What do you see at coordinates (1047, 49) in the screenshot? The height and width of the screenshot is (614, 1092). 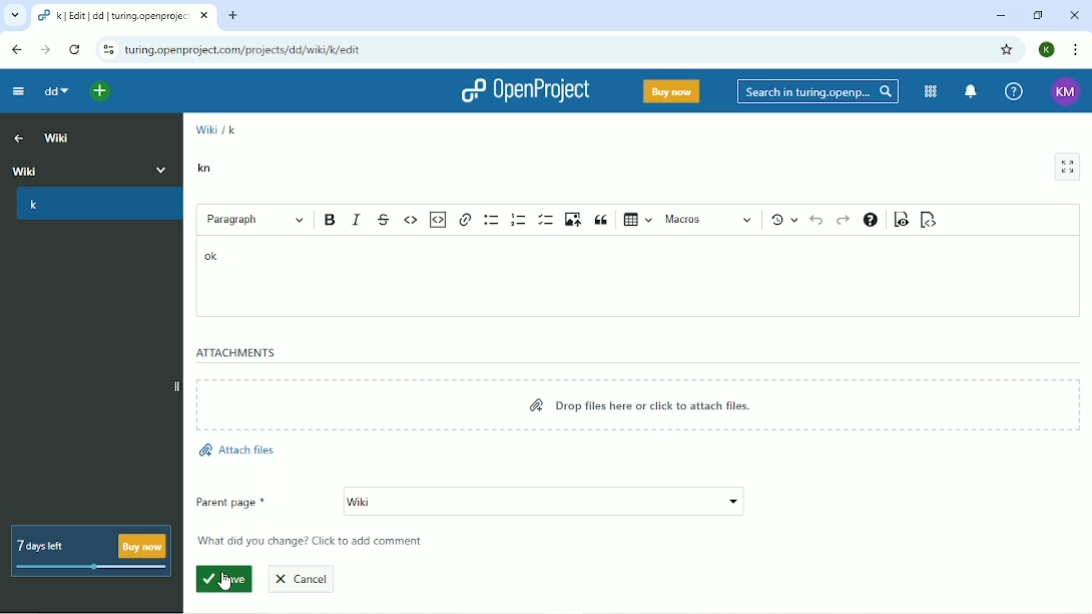 I see `Account` at bounding box center [1047, 49].